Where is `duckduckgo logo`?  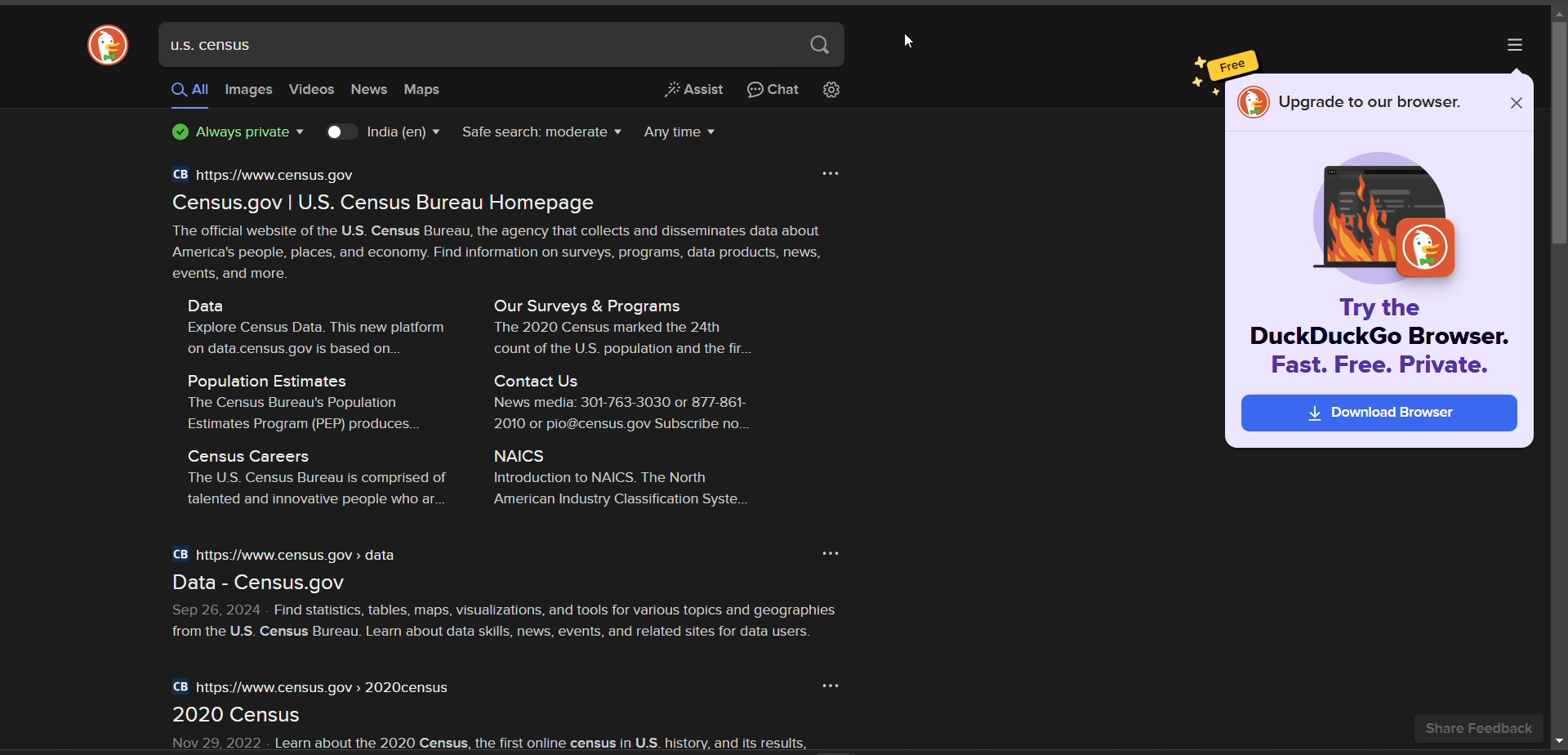
duckduckgo logo is located at coordinates (106, 44).